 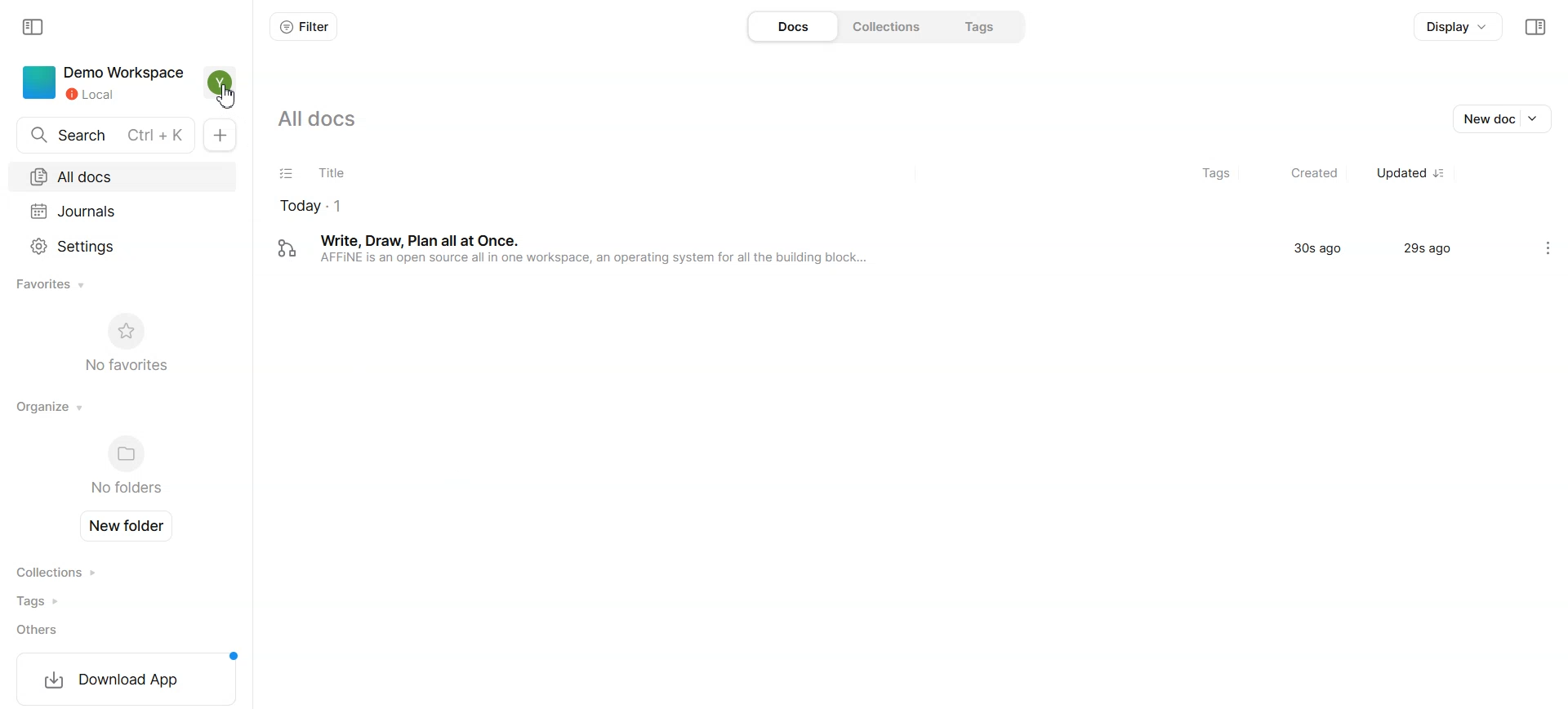 I want to click on New doc, so click(x=1505, y=118).